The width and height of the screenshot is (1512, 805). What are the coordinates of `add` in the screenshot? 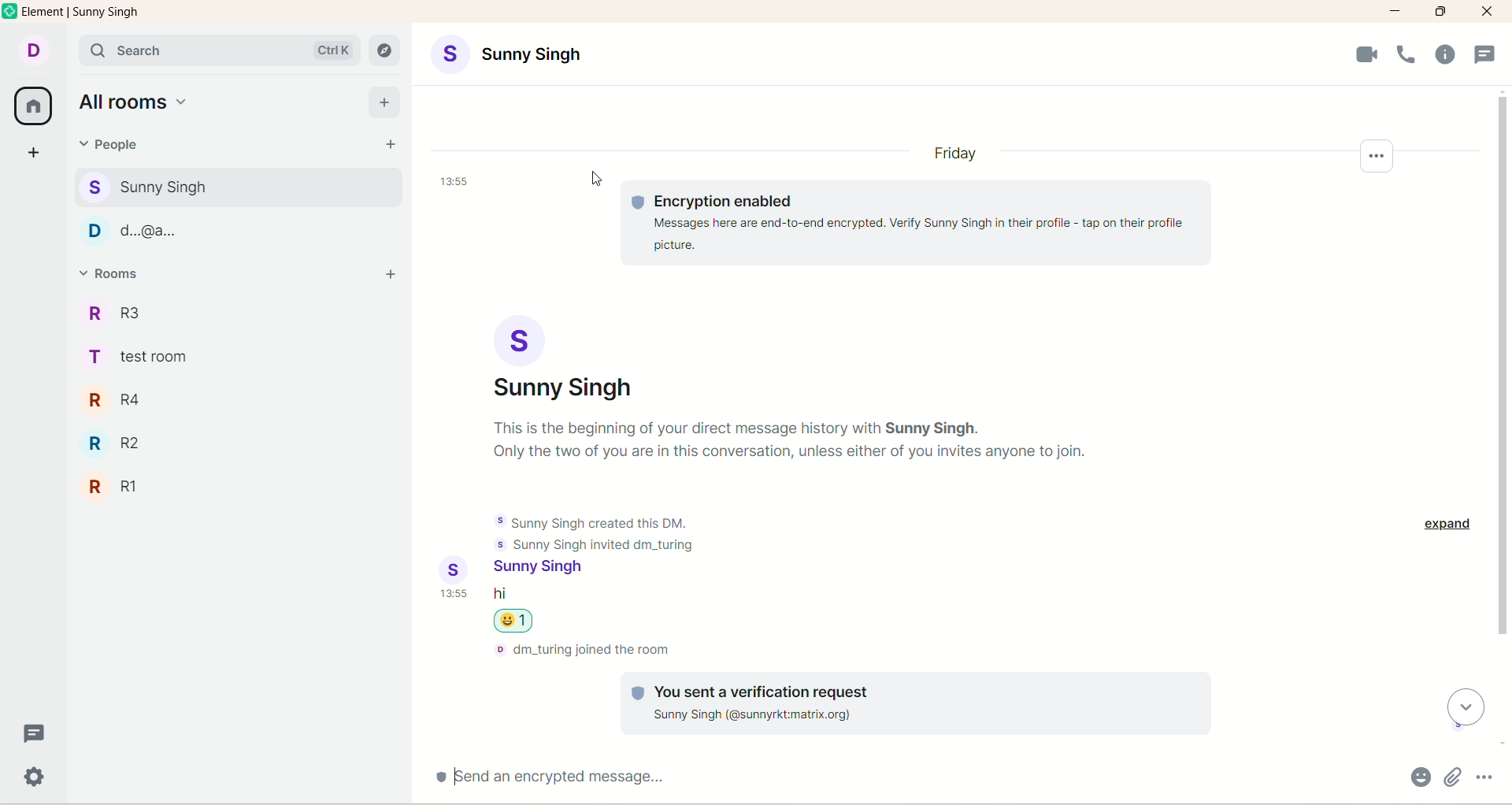 It's located at (384, 103).